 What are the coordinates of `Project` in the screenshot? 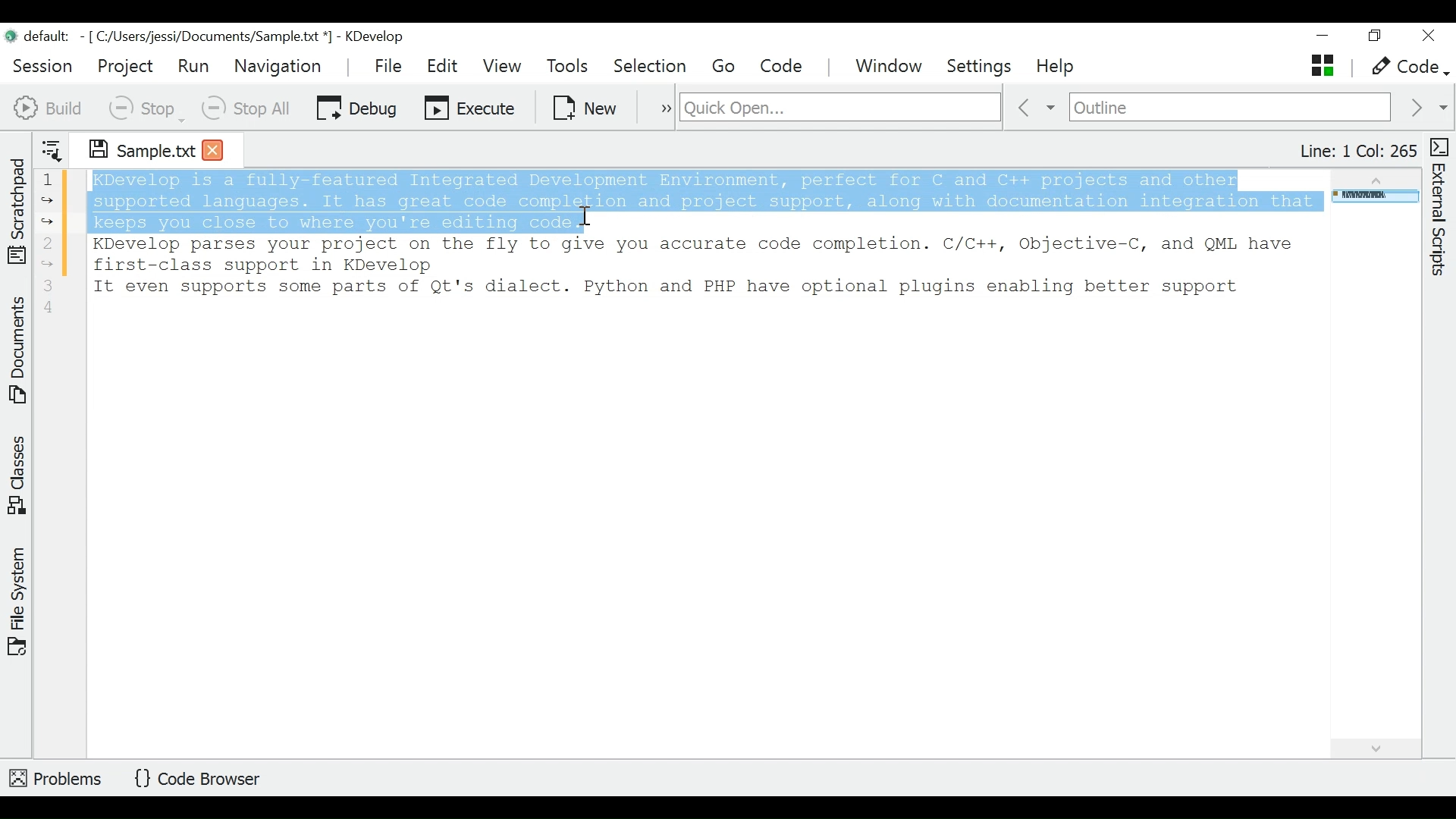 It's located at (124, 66).